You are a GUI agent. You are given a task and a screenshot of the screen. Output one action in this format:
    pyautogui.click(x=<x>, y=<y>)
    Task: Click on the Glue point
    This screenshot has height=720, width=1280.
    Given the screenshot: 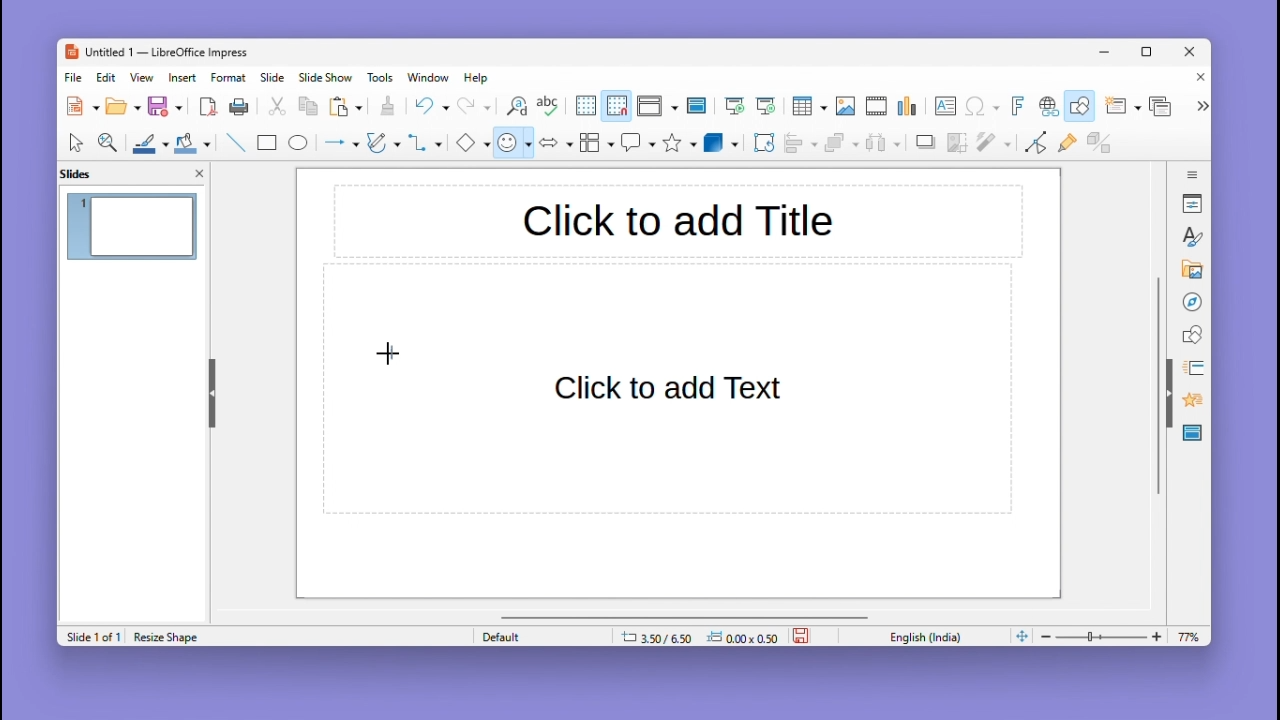 What is the action you would take?
    pyautogui.click(x=1071, y=145)
    